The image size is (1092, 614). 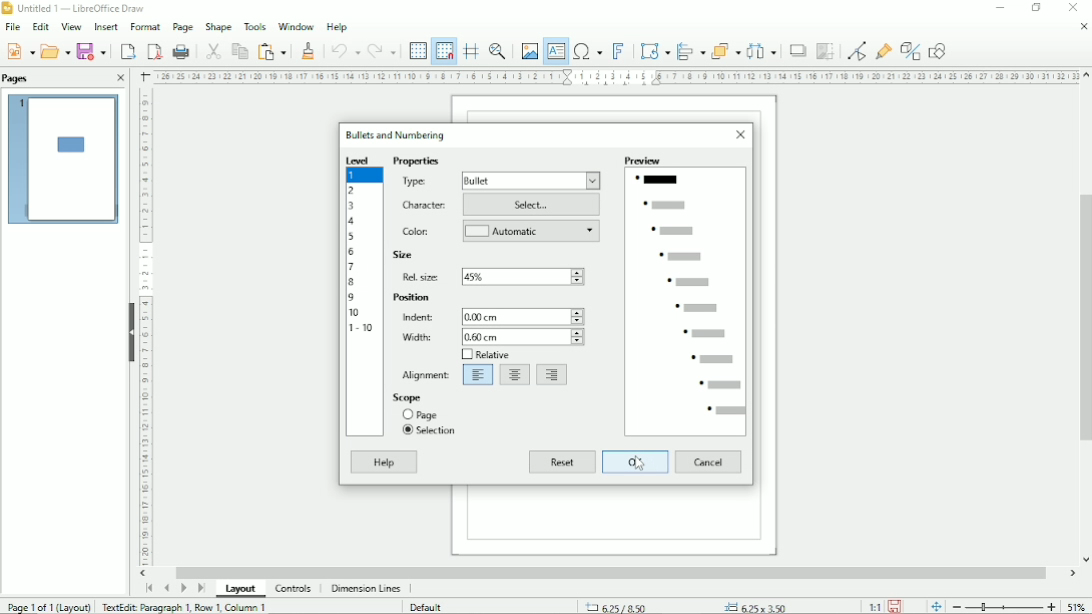 I want to click on Clone formatting, so click(x=310, y=50).